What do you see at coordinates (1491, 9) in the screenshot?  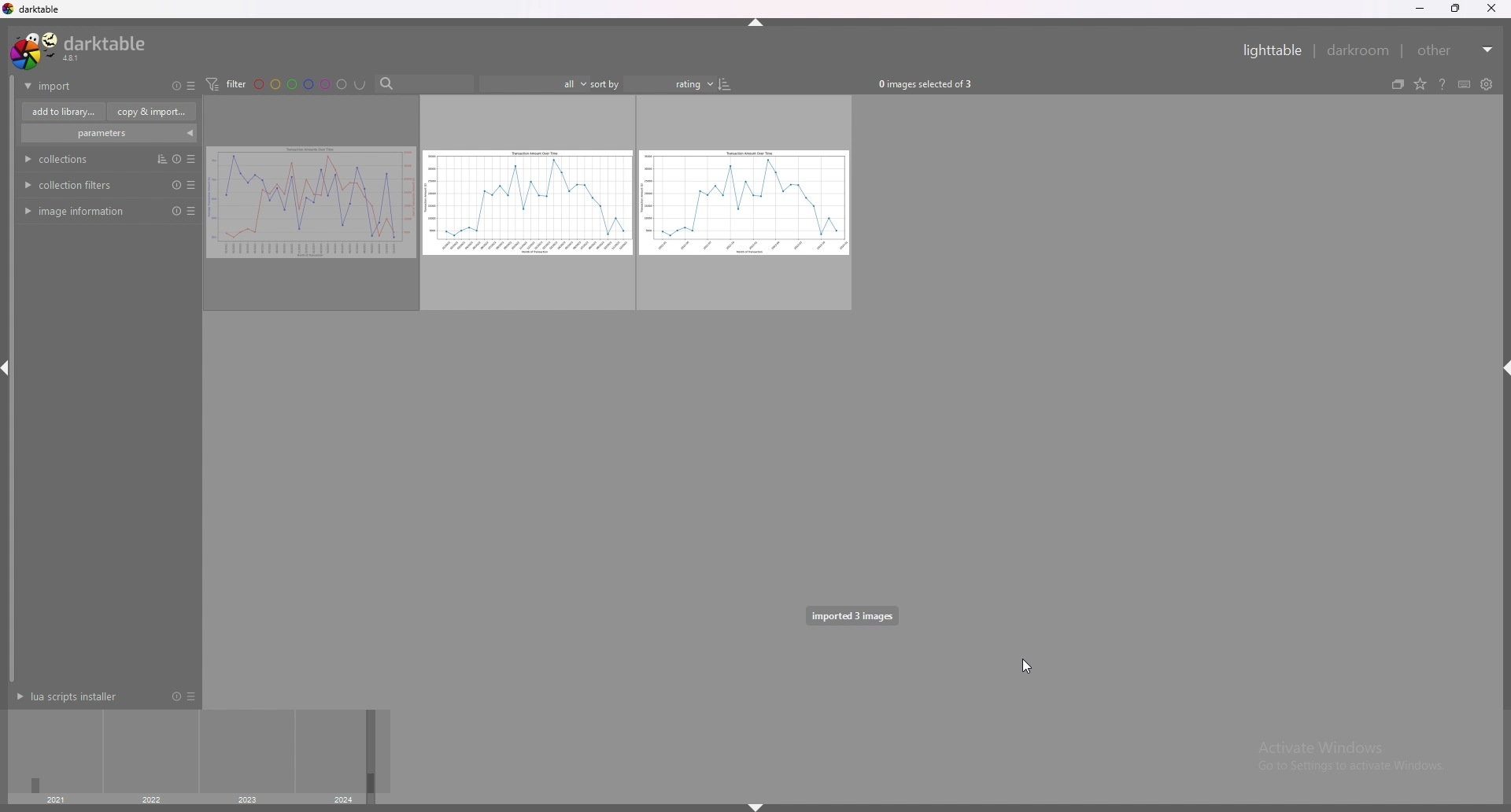 I see `close` at bounding box center [1491, 9].